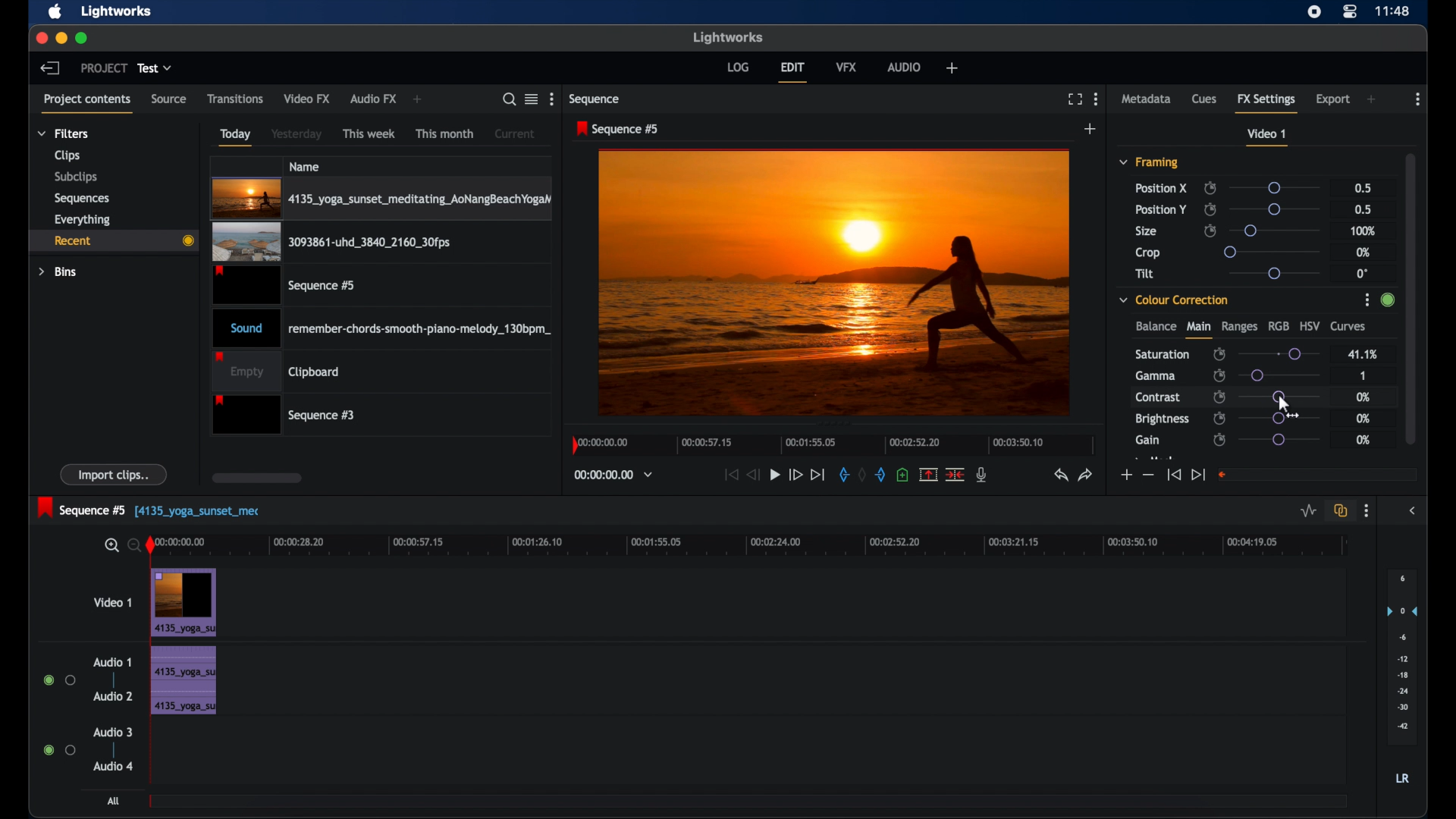 The height and width of the screenshot is (819, 1456). I want to click on more options, so click(1096, 99).